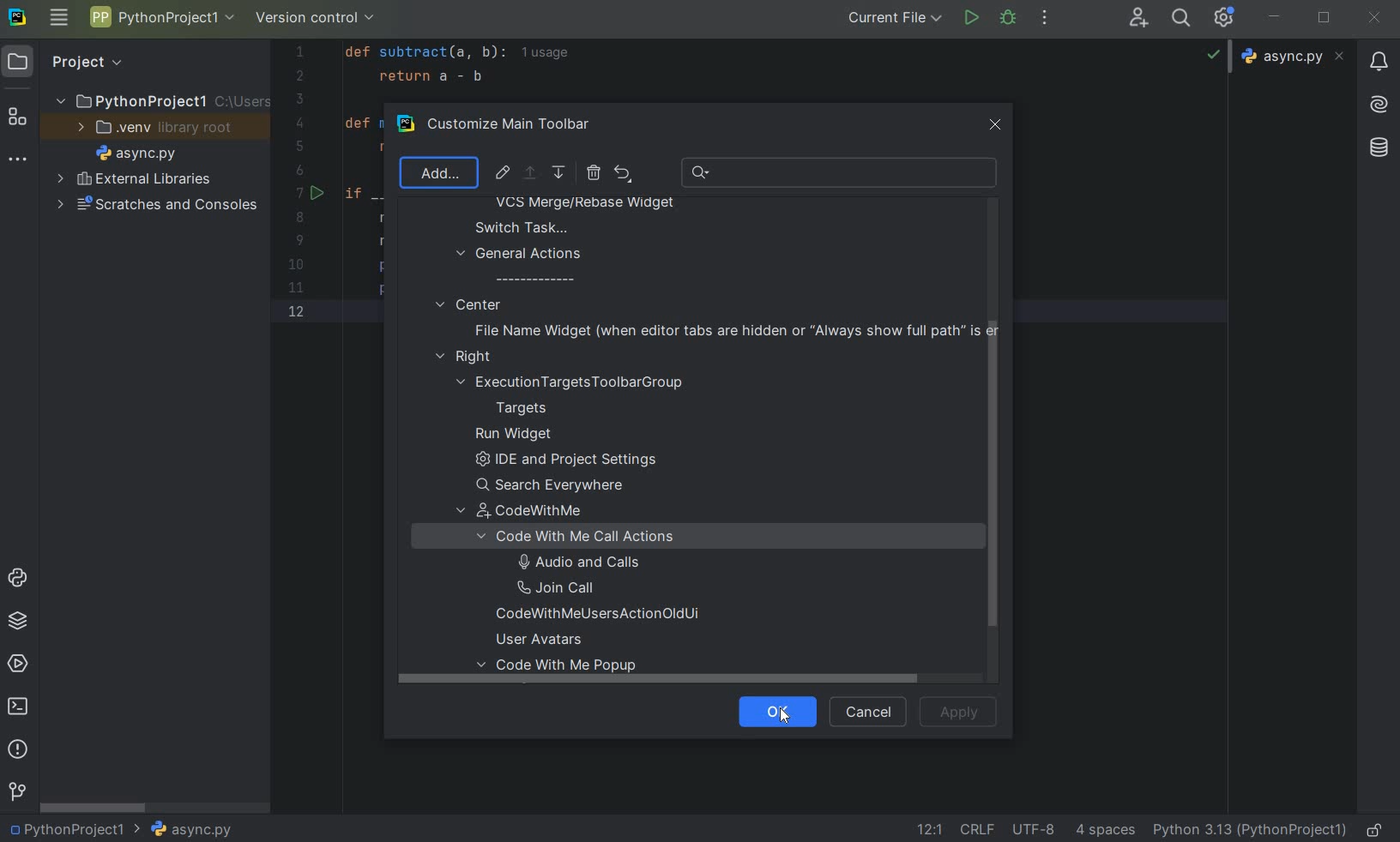 The width and height of the screenshot is (1400, 842). I want to click on ok, so click(775, 712).